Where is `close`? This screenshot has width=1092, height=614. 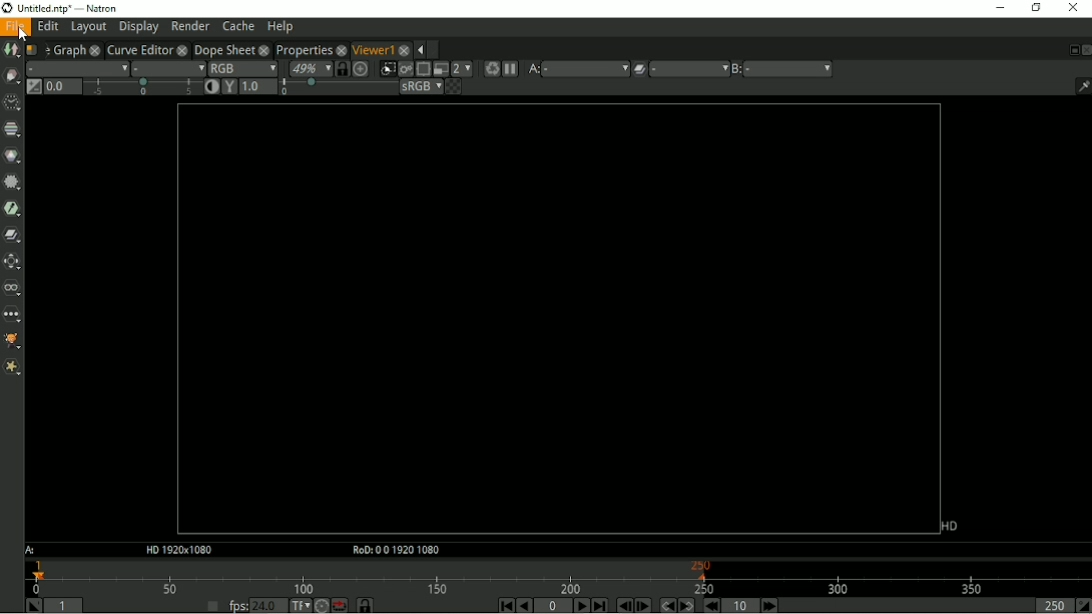 close is located at coordinates (264, 49).